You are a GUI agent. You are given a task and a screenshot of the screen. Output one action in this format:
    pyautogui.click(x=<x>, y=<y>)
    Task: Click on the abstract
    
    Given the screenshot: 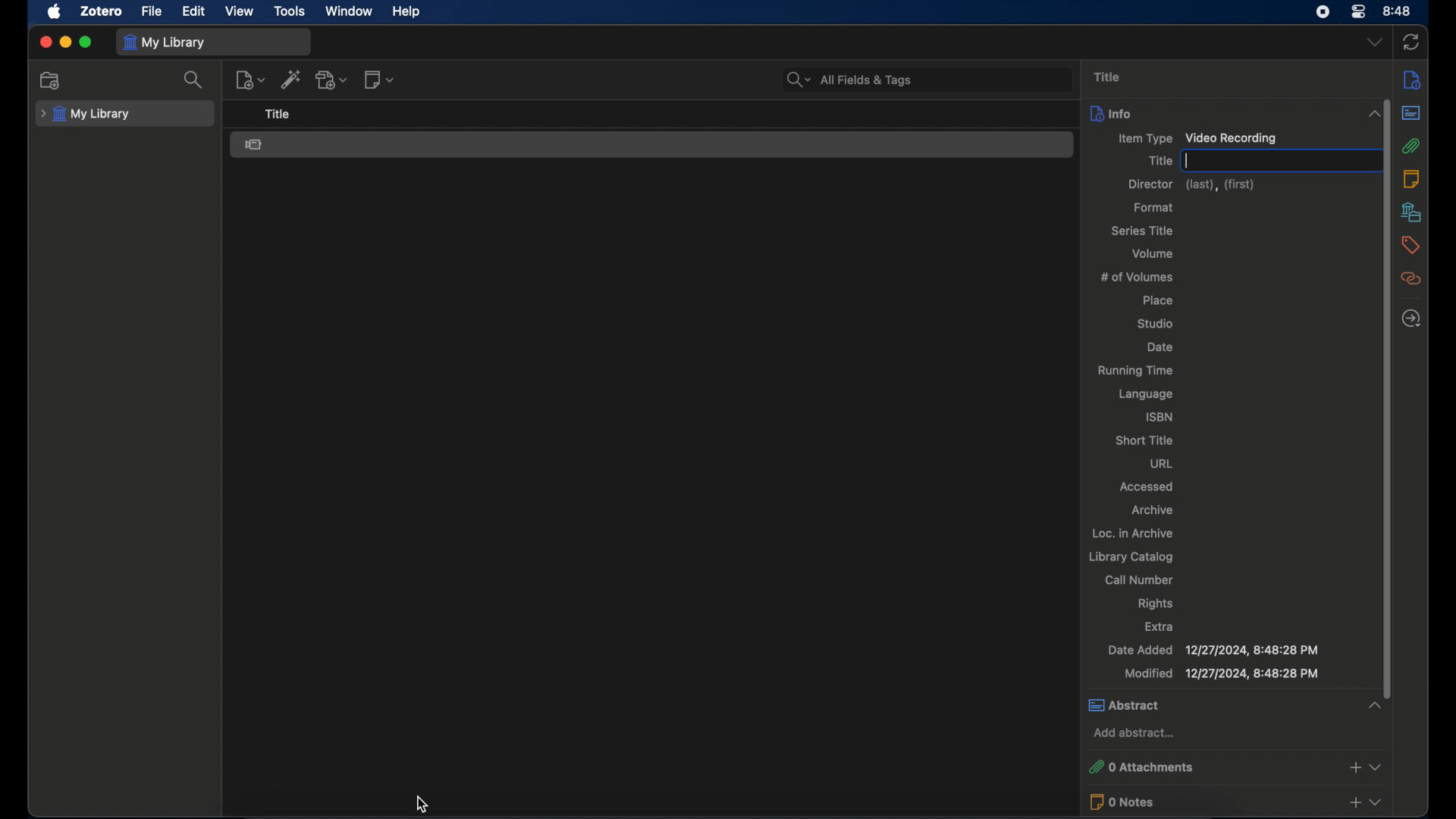 What is the action you would take?
    pyautogui.click(x=1236, y=706)
    